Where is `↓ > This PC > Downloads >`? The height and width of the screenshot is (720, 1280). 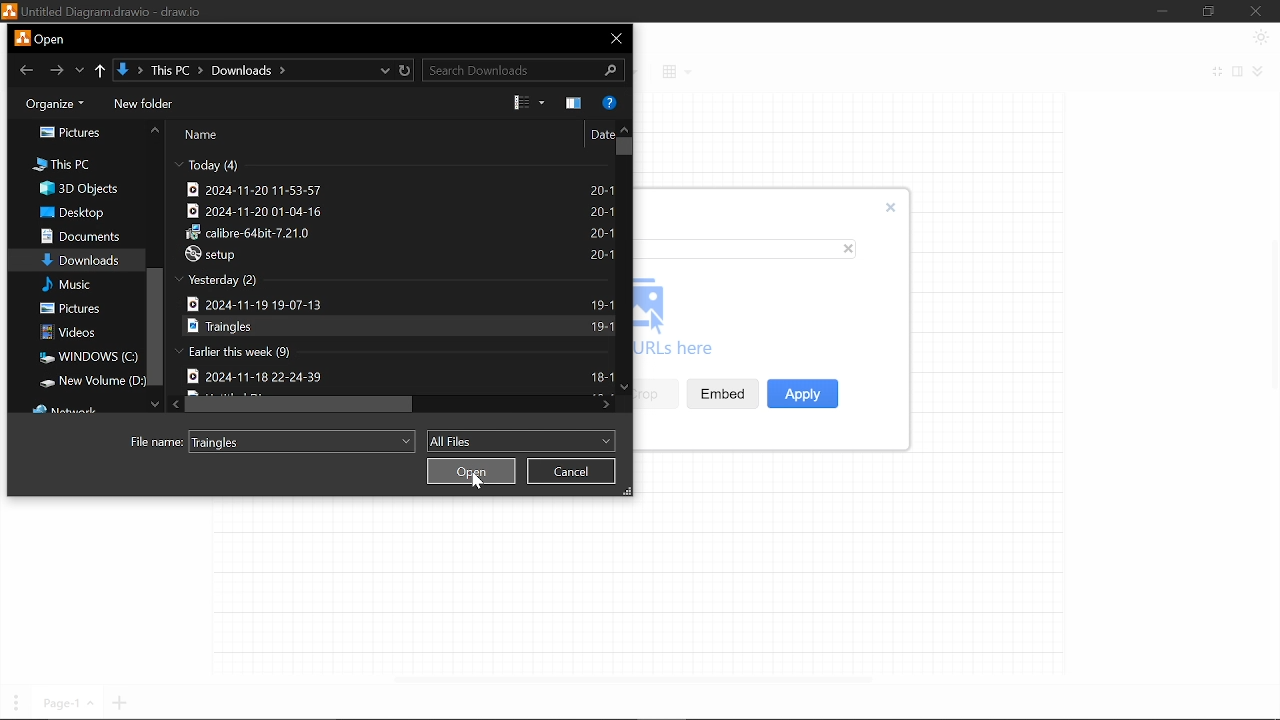
↓ > This PC > Downloads > is located at coordinates (209, 70).